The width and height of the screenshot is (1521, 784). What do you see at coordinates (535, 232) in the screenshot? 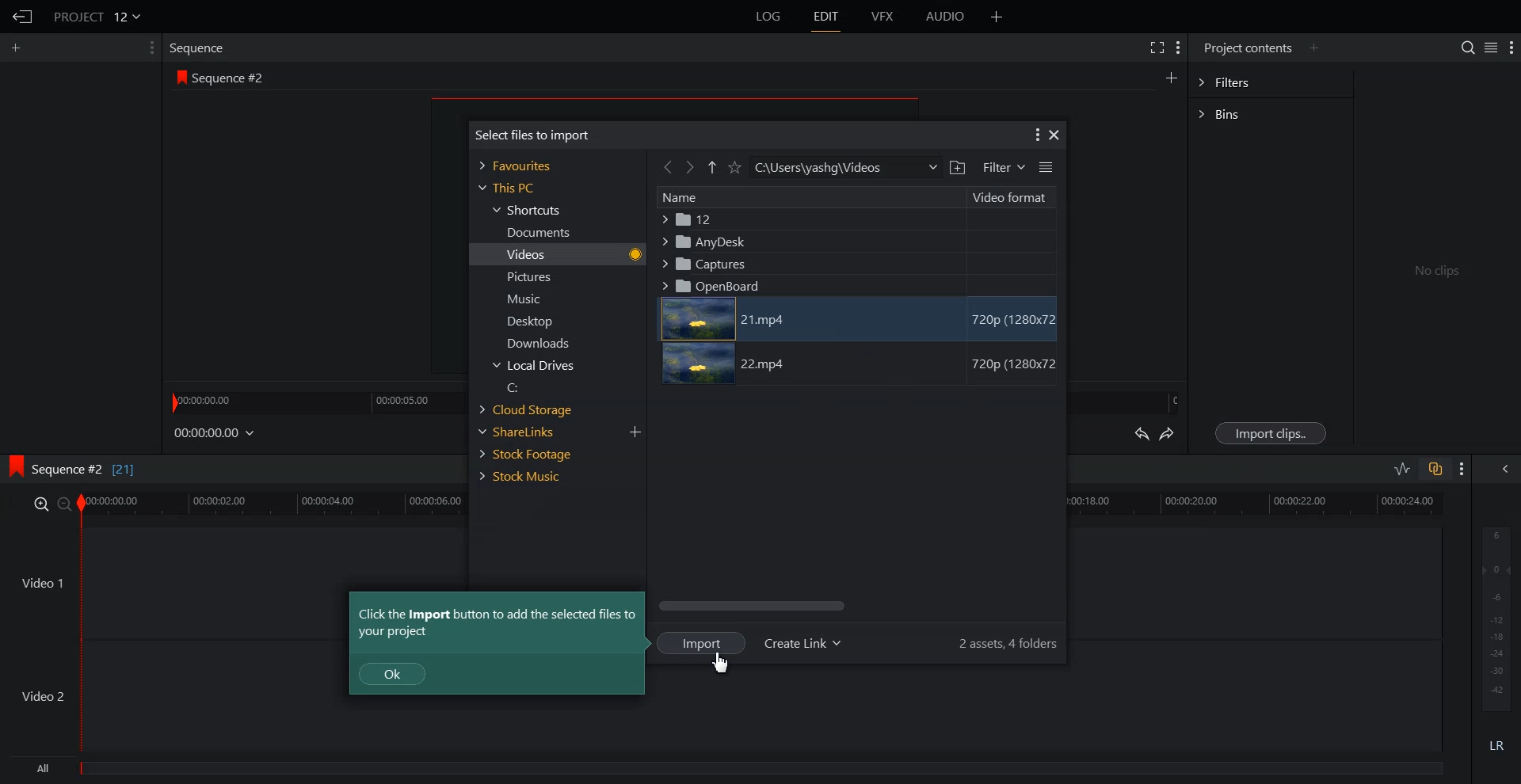
I see `Documents` at bounding box center [535, 232].